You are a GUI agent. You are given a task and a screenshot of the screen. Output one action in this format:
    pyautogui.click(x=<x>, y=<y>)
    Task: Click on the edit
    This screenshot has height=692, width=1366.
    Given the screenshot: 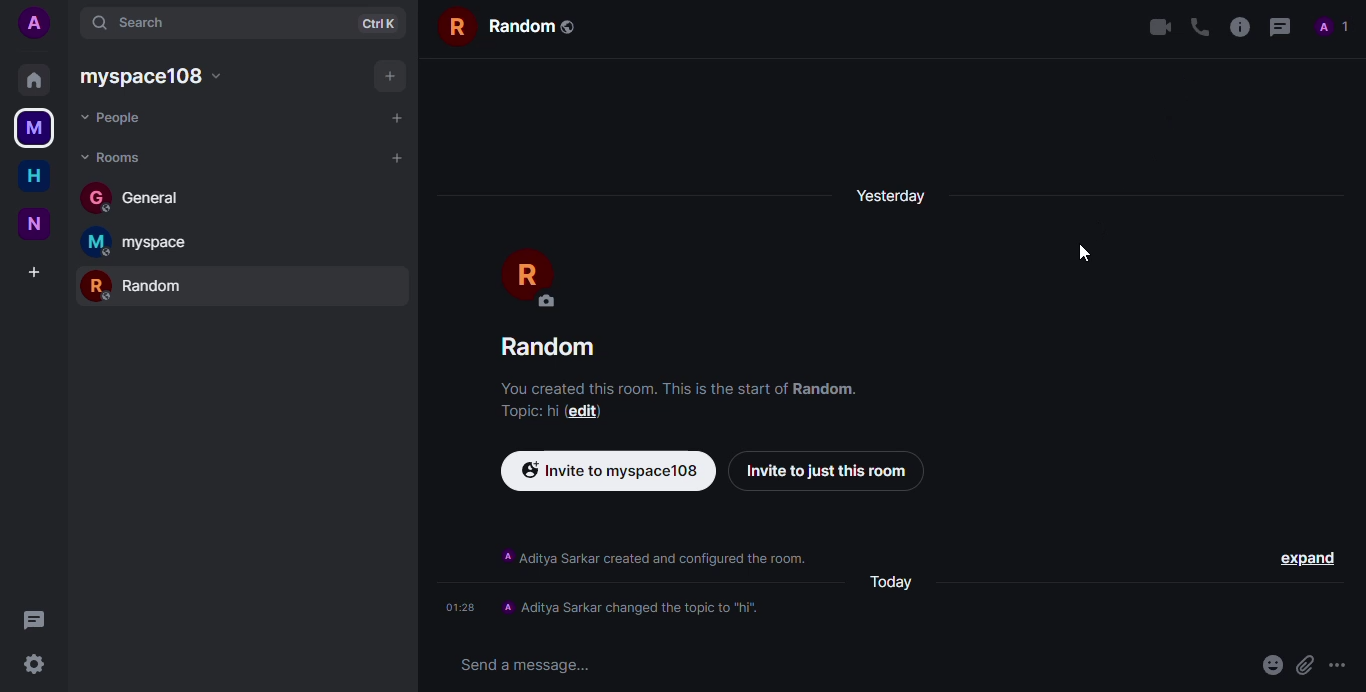 What is the action you would take?
    pyautogui.click(x=584, y=411)
    